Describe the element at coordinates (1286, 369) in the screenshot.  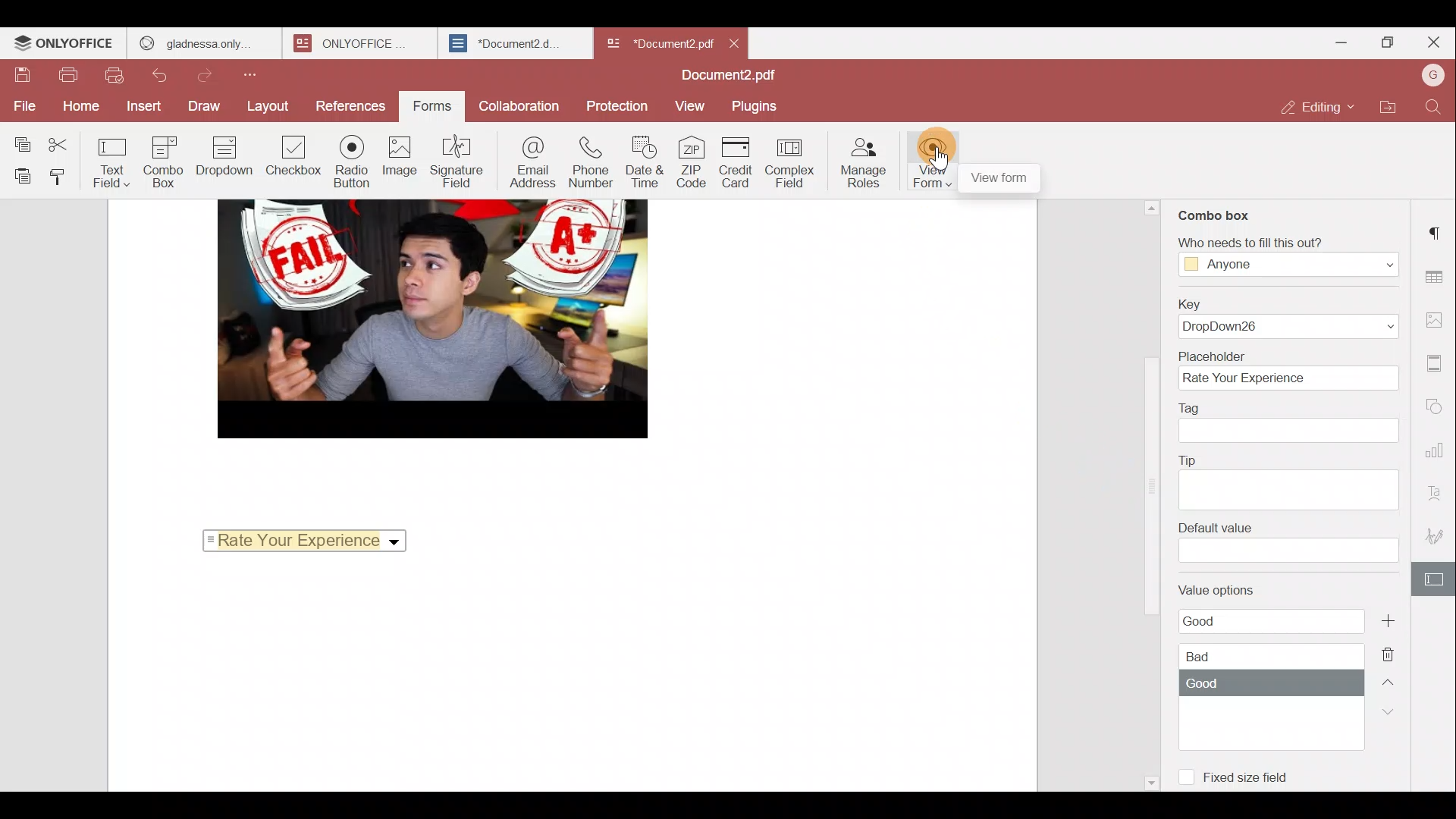
I see `Placeholder` at that location.